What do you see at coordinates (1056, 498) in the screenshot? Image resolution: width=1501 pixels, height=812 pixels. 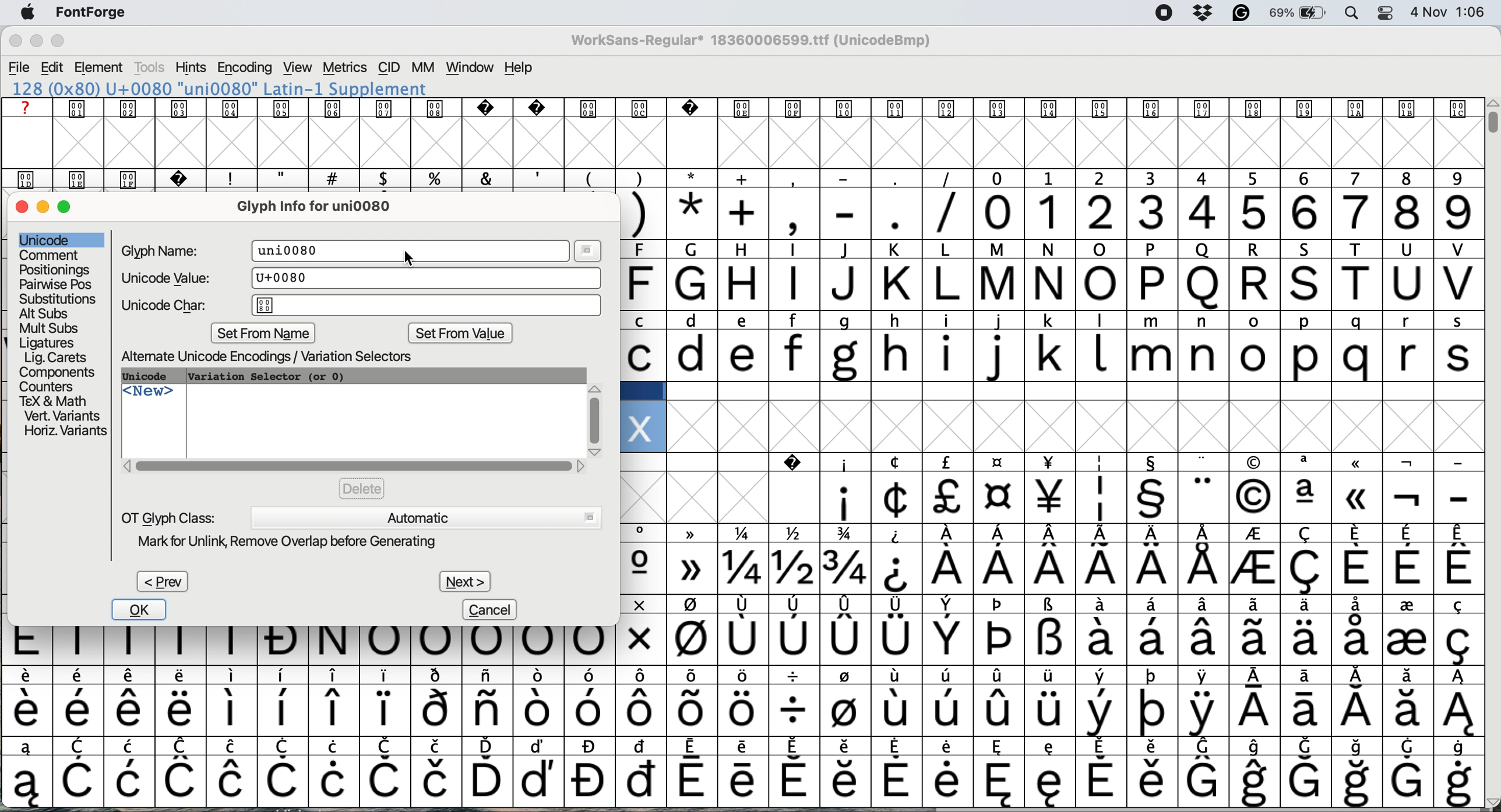 I see `special characters` at bounding box center [1056, 498].